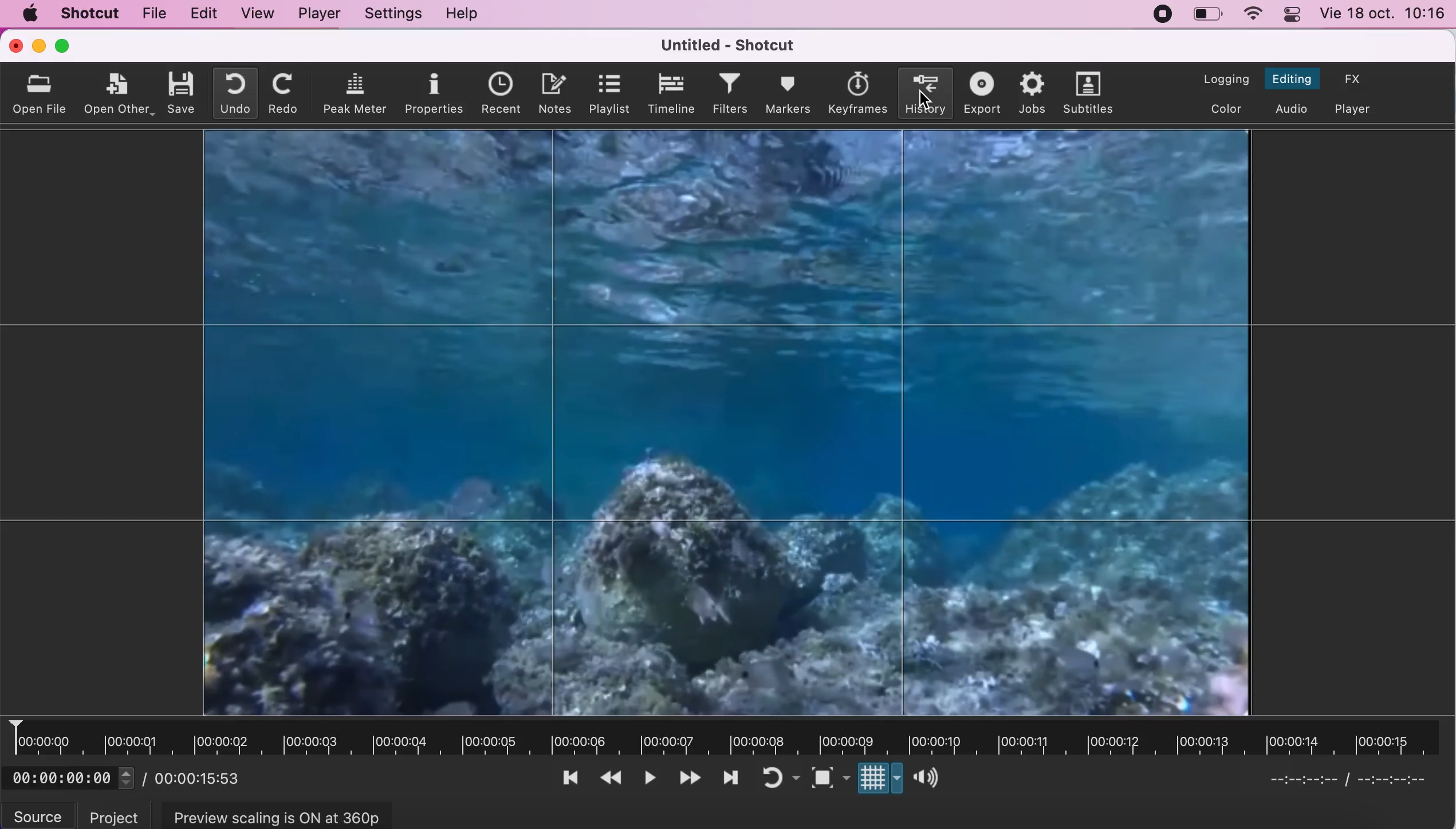 This screenshot has height=829, width=1456. What do you see at coordinates (1158, 14) in the screenshot?
I see `recording stopped` at bounding box center [1158, 14].